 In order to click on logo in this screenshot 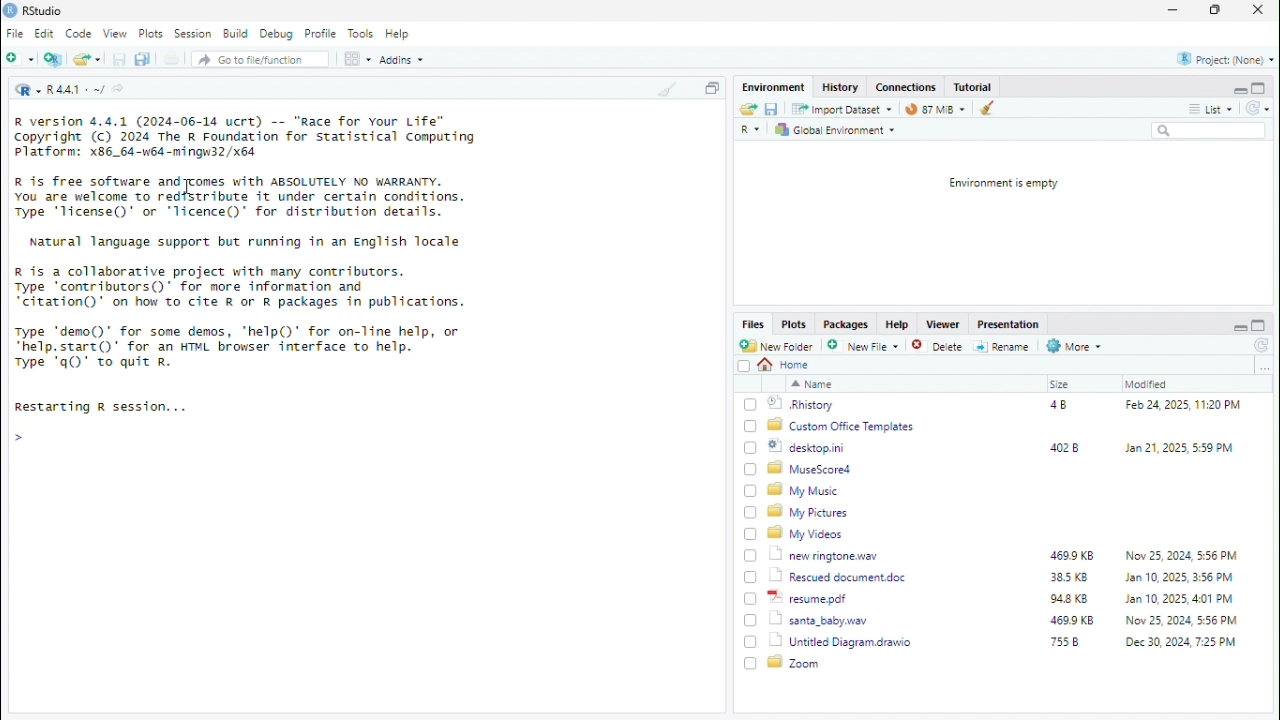, I will do `click(11, 11)`.